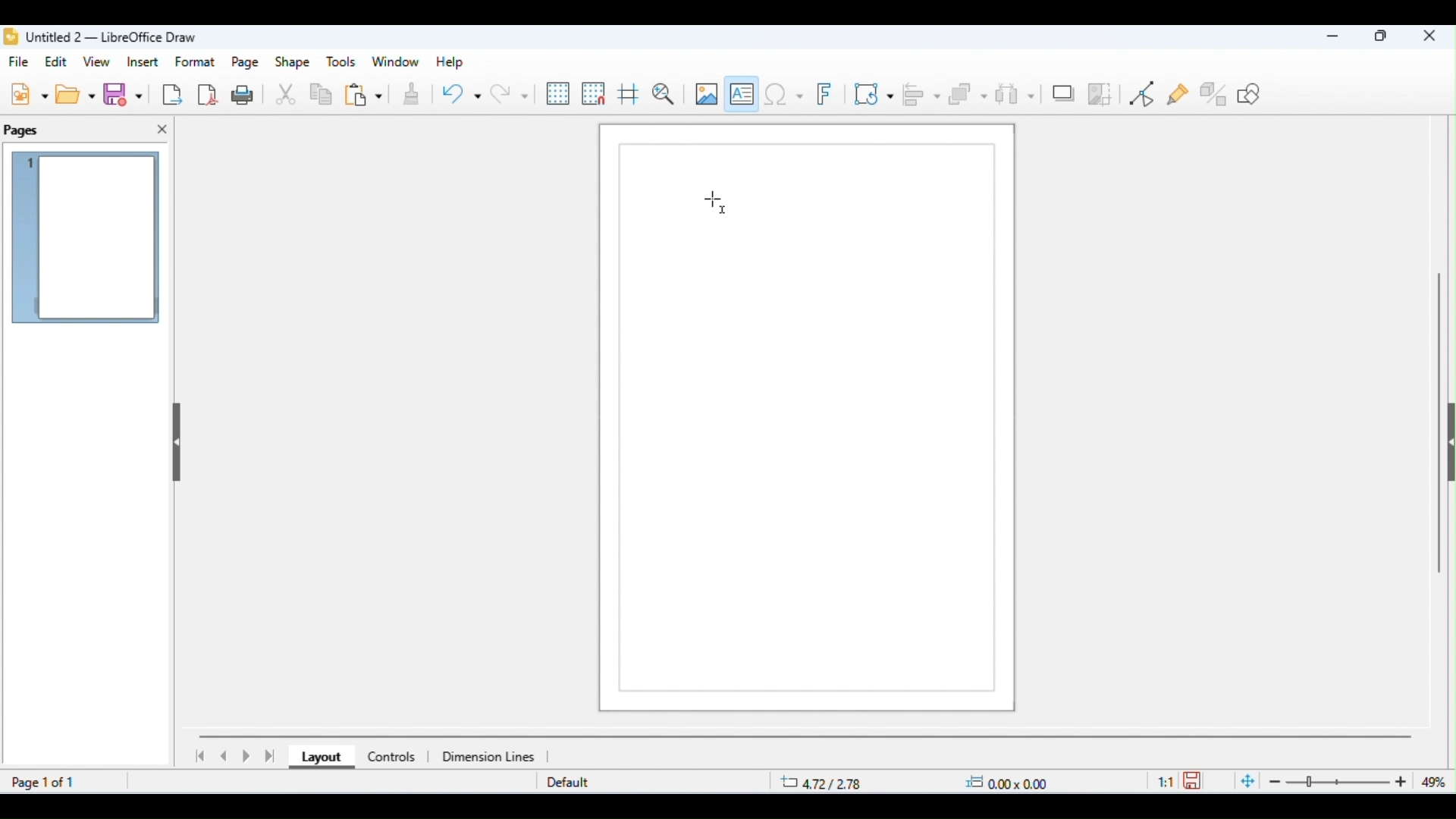  I want to click on show extrusion, so click(1215, 93).